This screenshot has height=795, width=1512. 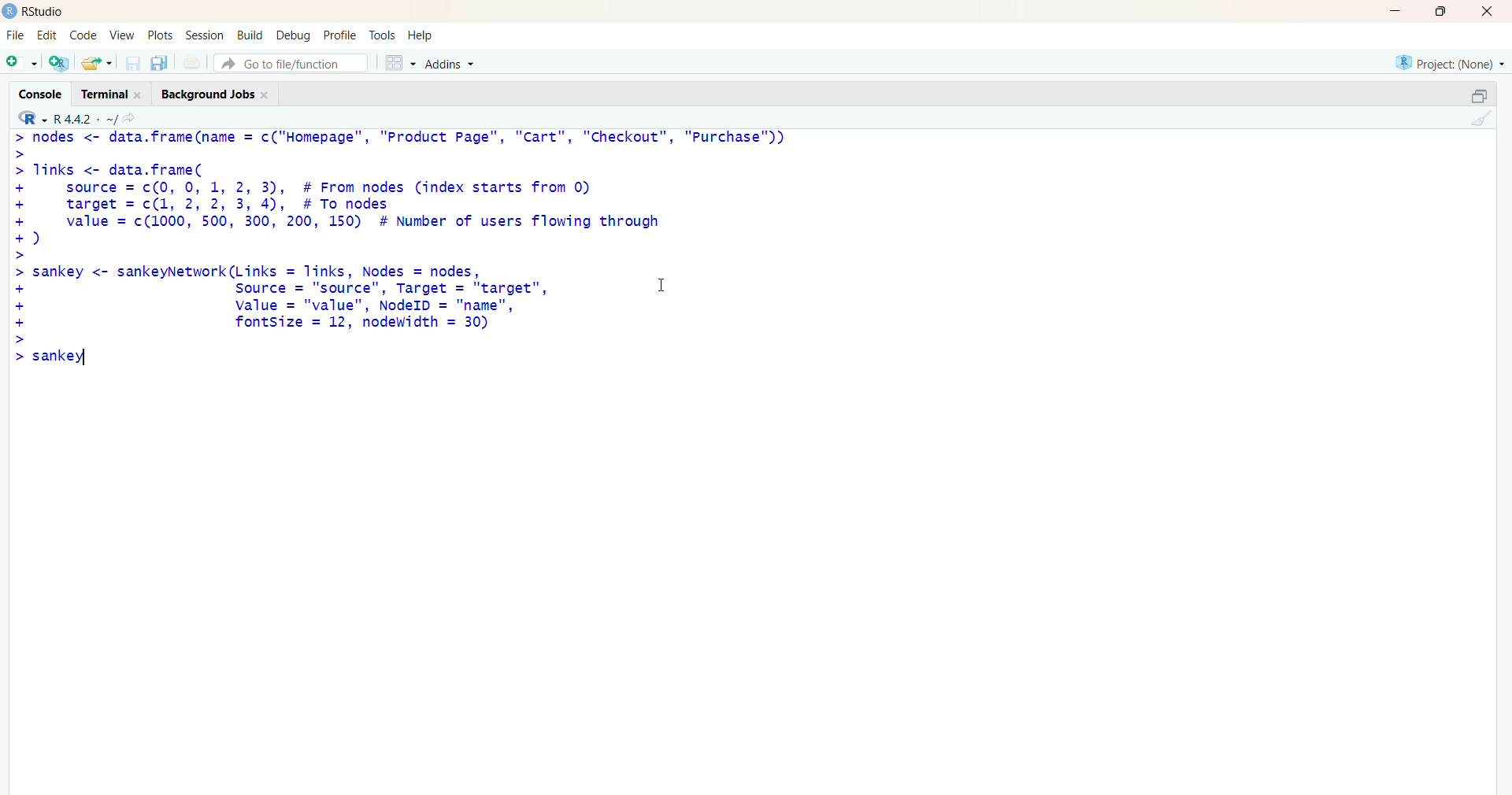 I want to click on Addins, so click(x=449, y=65).